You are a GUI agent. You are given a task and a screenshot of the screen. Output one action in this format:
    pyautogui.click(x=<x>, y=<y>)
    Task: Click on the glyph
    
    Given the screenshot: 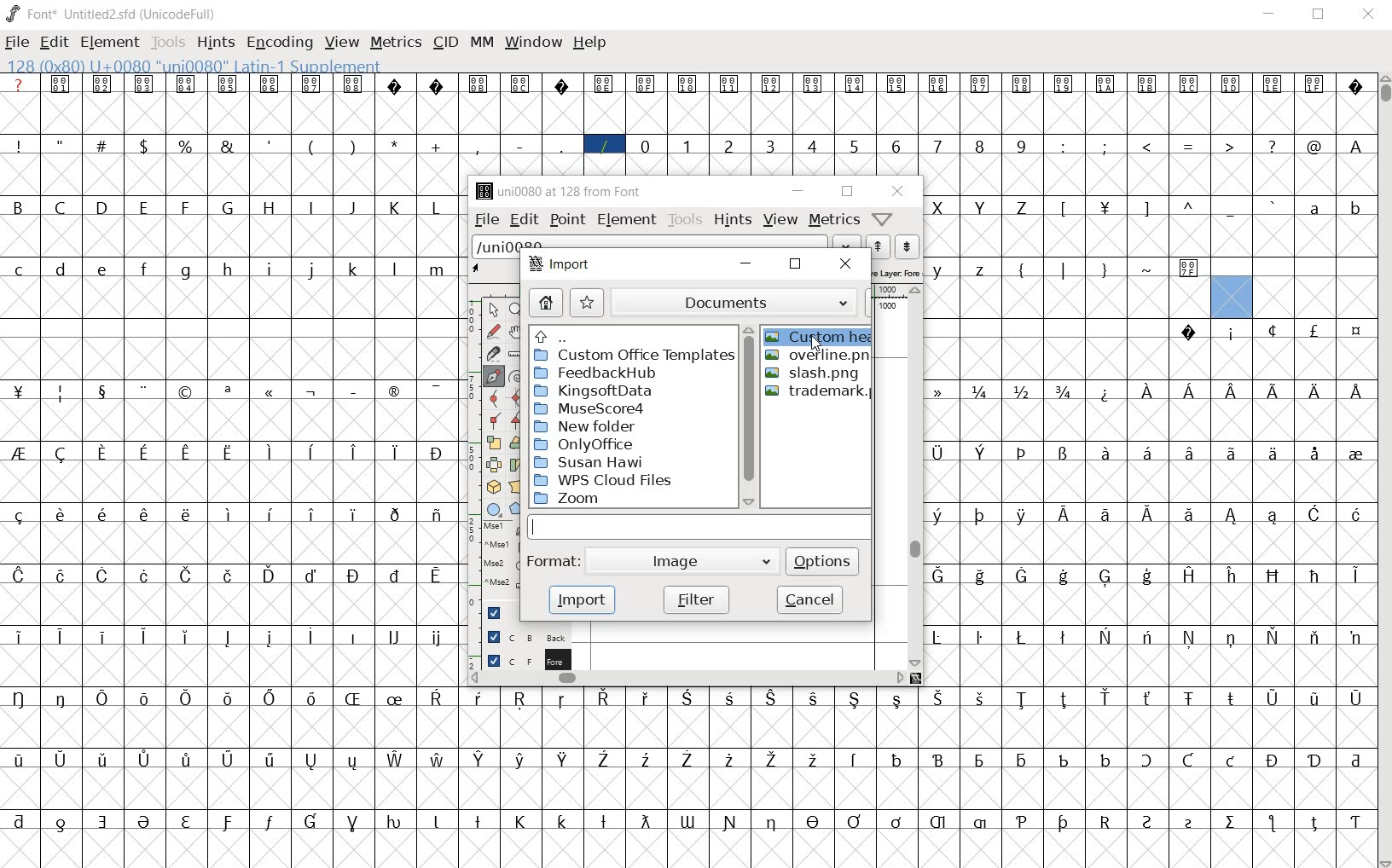 What is the action you would take?
    pyautogui.click(x=980, y=516)
    